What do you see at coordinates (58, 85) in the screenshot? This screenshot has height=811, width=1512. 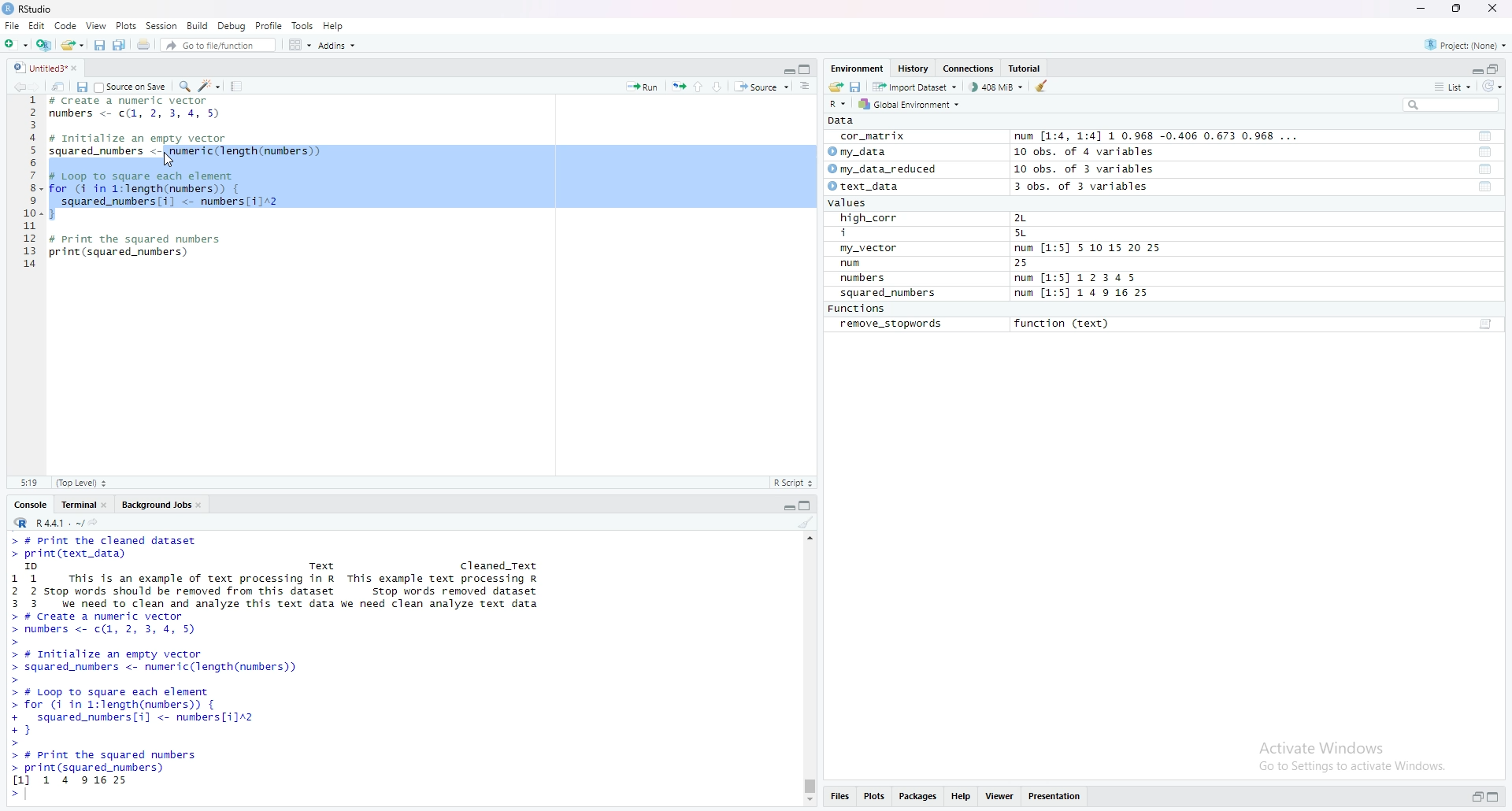 I see `show in new window` at bounding box center [58, 85].